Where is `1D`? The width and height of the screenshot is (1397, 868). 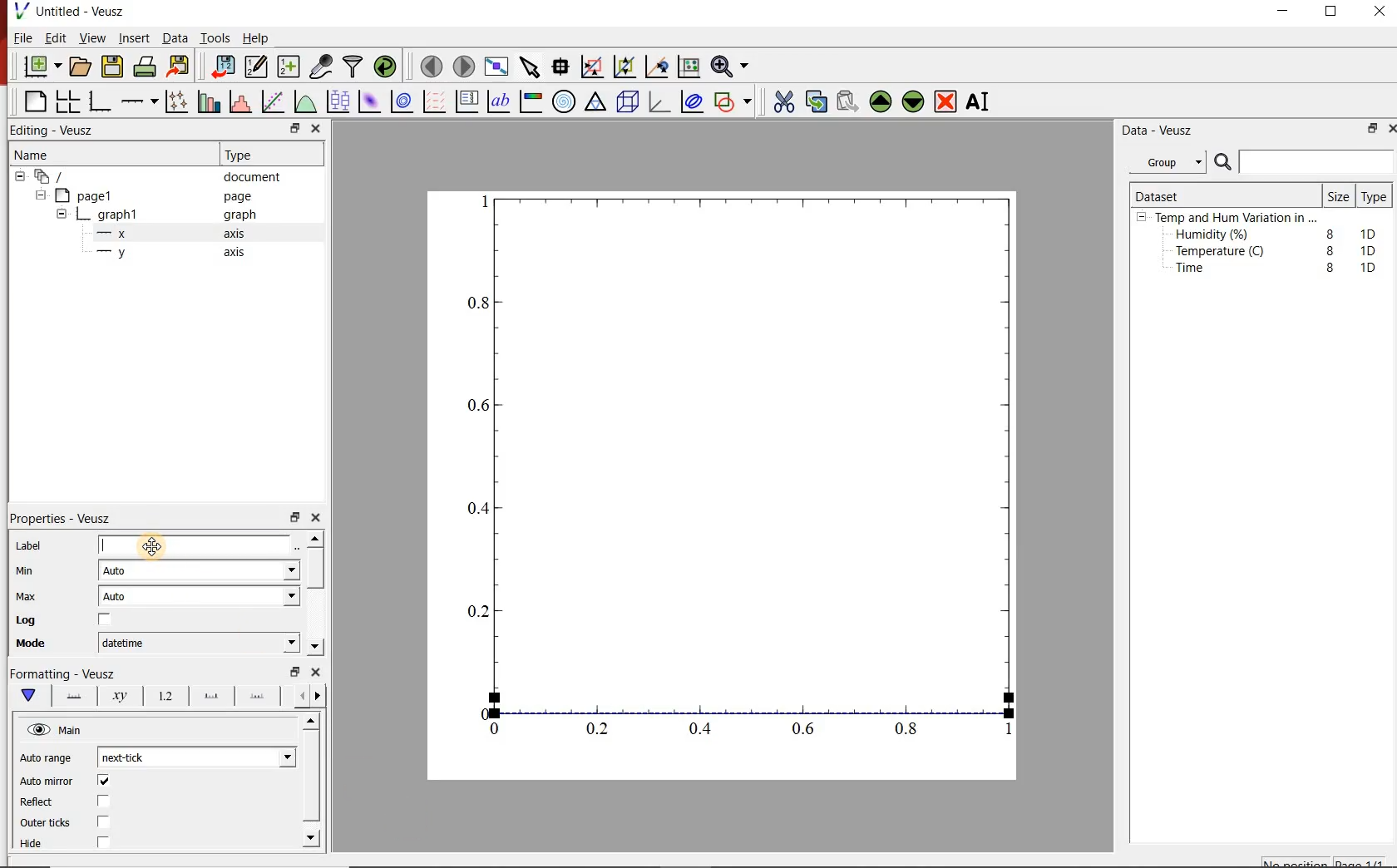
1D is located at coordinates (1372, 232).